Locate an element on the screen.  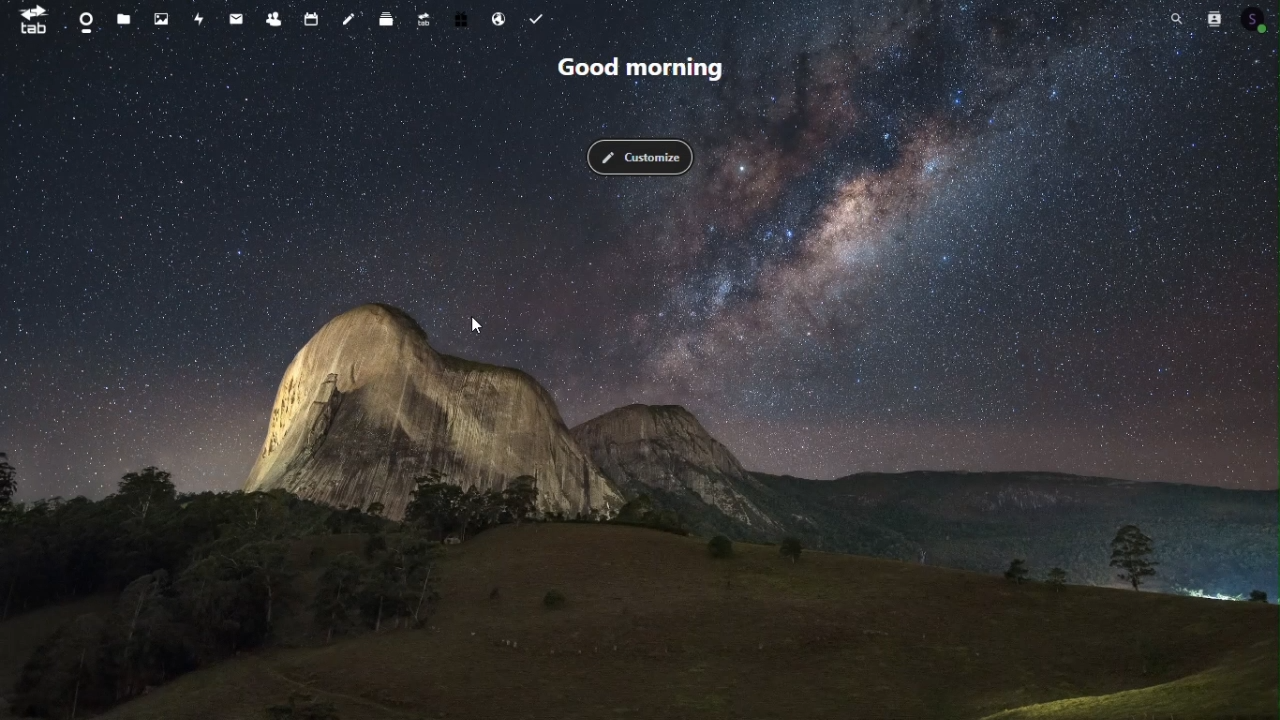
Dashboard is located at coordinates (78, 17).